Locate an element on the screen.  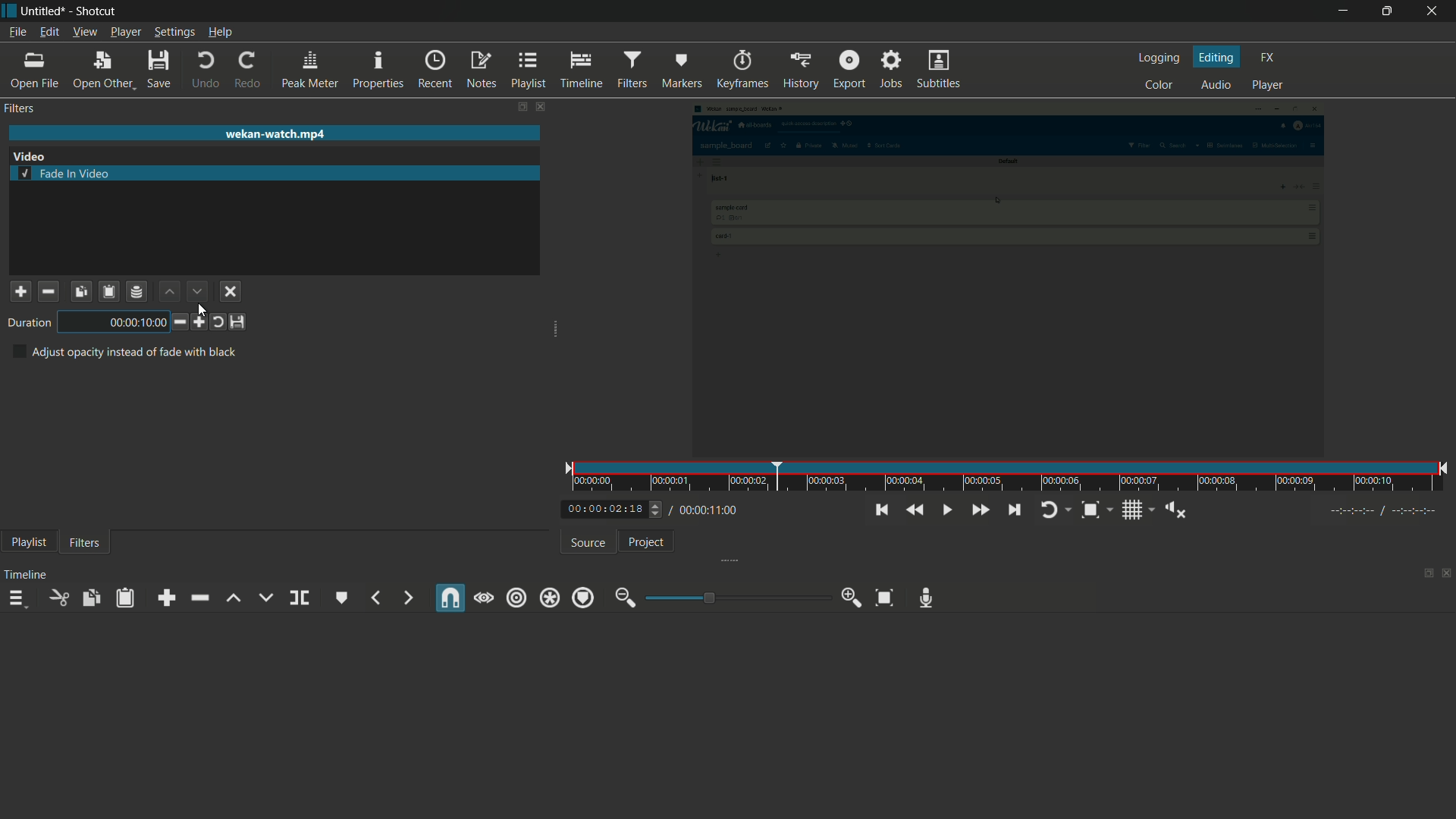
timeline menu is located at coordinates (17, 598).